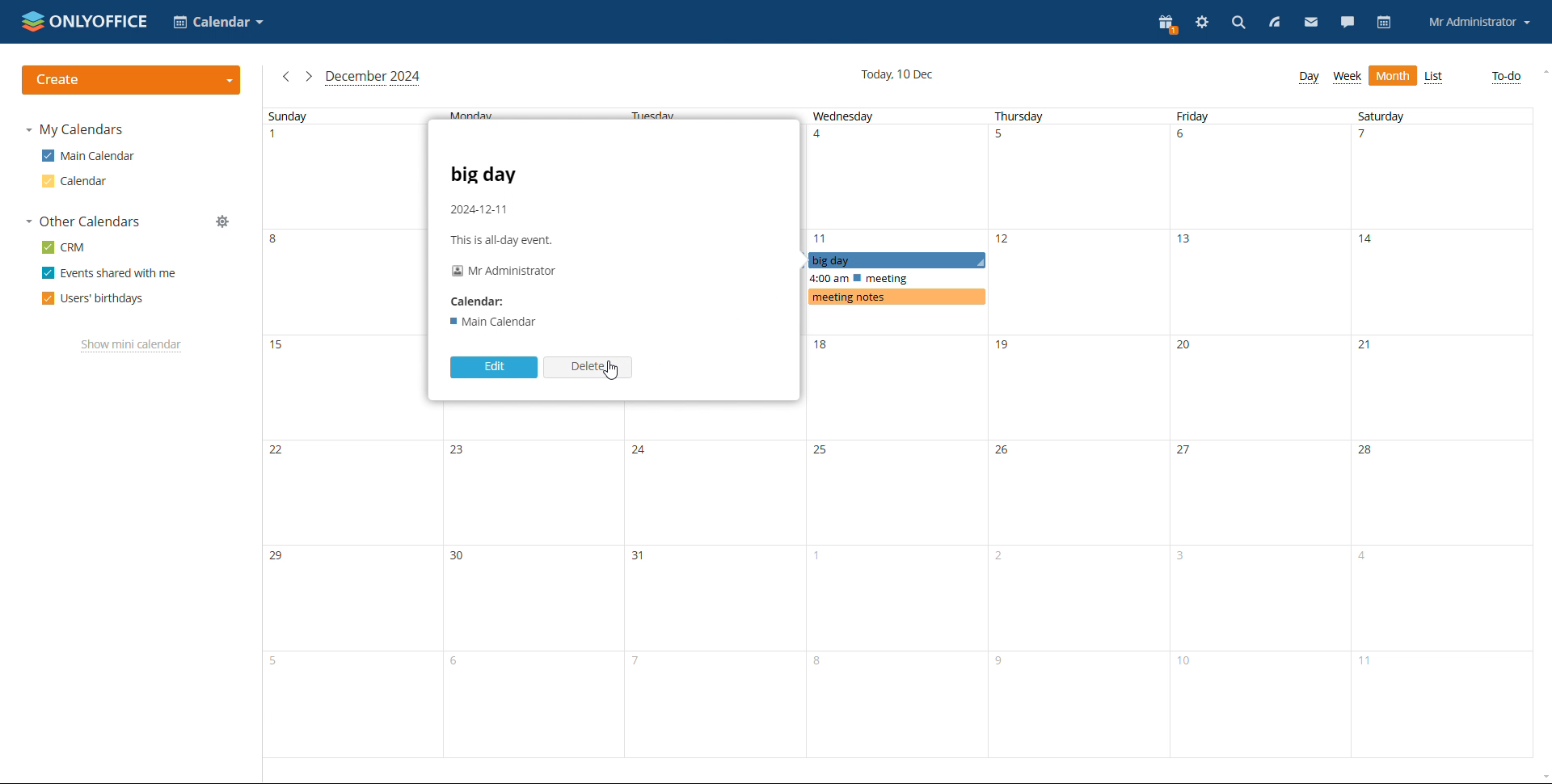  Describe the element at coordinates (342, 434) in the screenshot. I see `sunday` at that location.